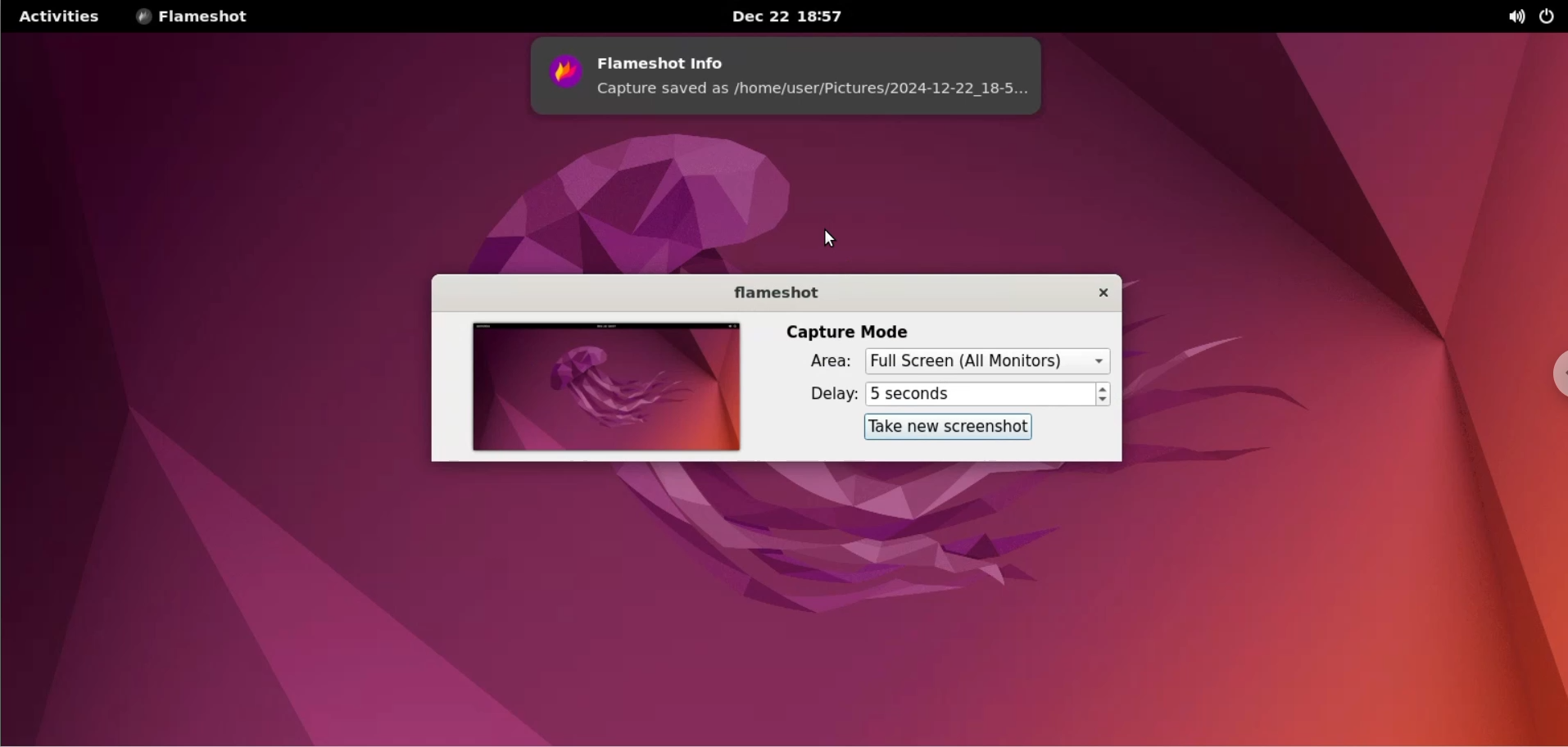  I want to click on capture saved as /home/user/pictures/2024-12-22_18-5..., so click(820, 94).